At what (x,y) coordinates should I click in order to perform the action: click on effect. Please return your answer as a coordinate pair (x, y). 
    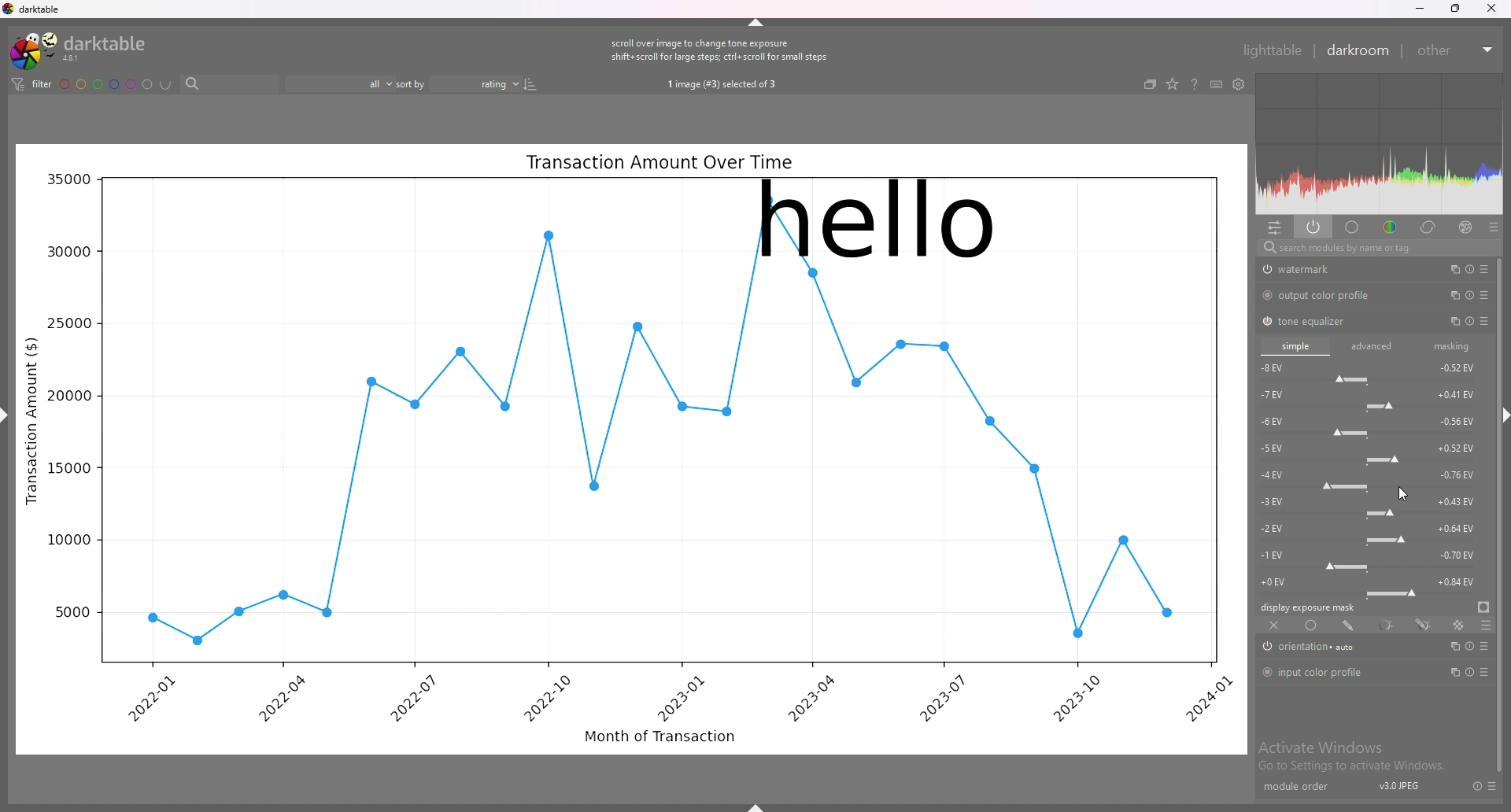
    Looking at the image, I should click on (1465, 227).